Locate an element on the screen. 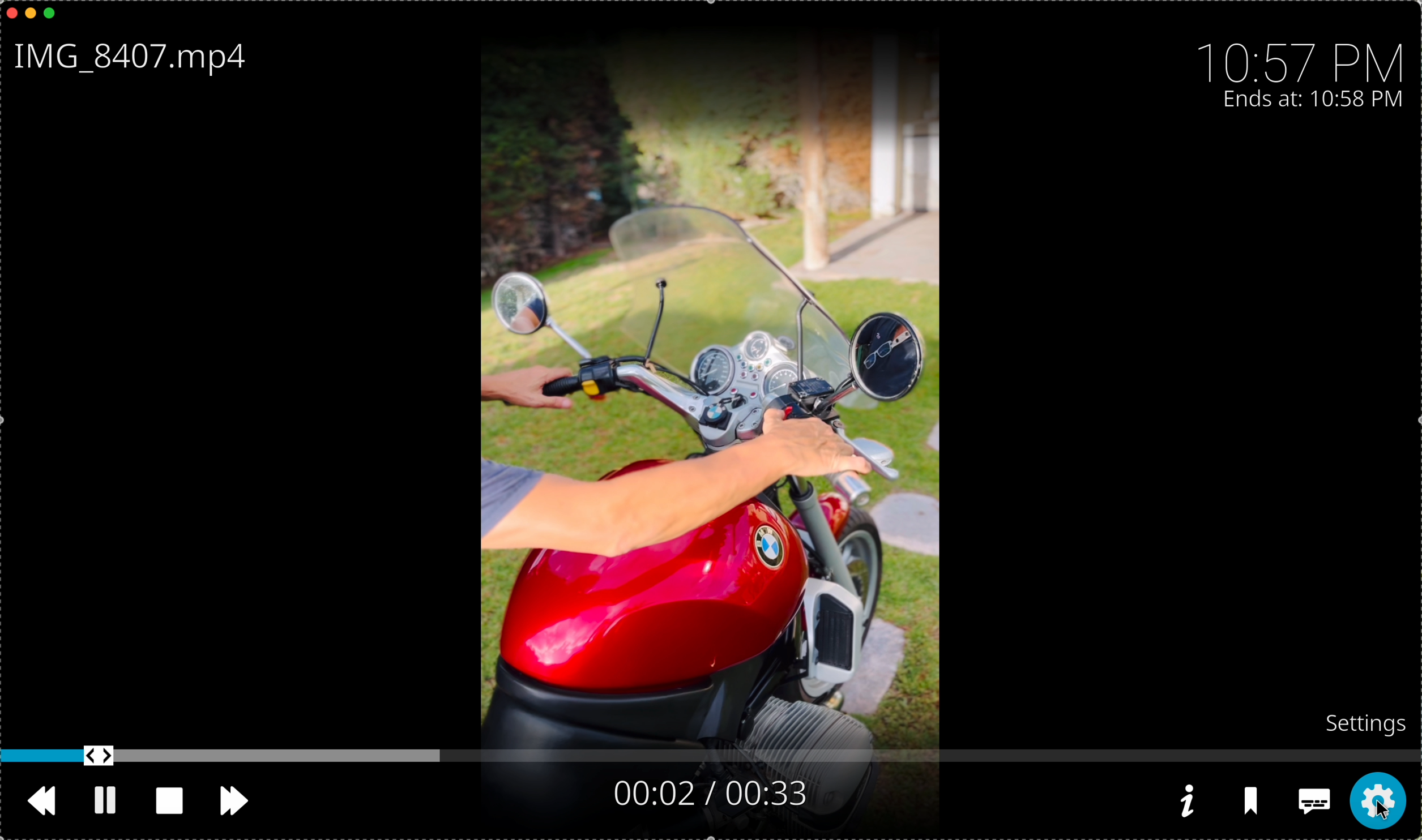 The width and height of the screenshot is (1422, 840). subtitles is located at coordinates (1312, 803).